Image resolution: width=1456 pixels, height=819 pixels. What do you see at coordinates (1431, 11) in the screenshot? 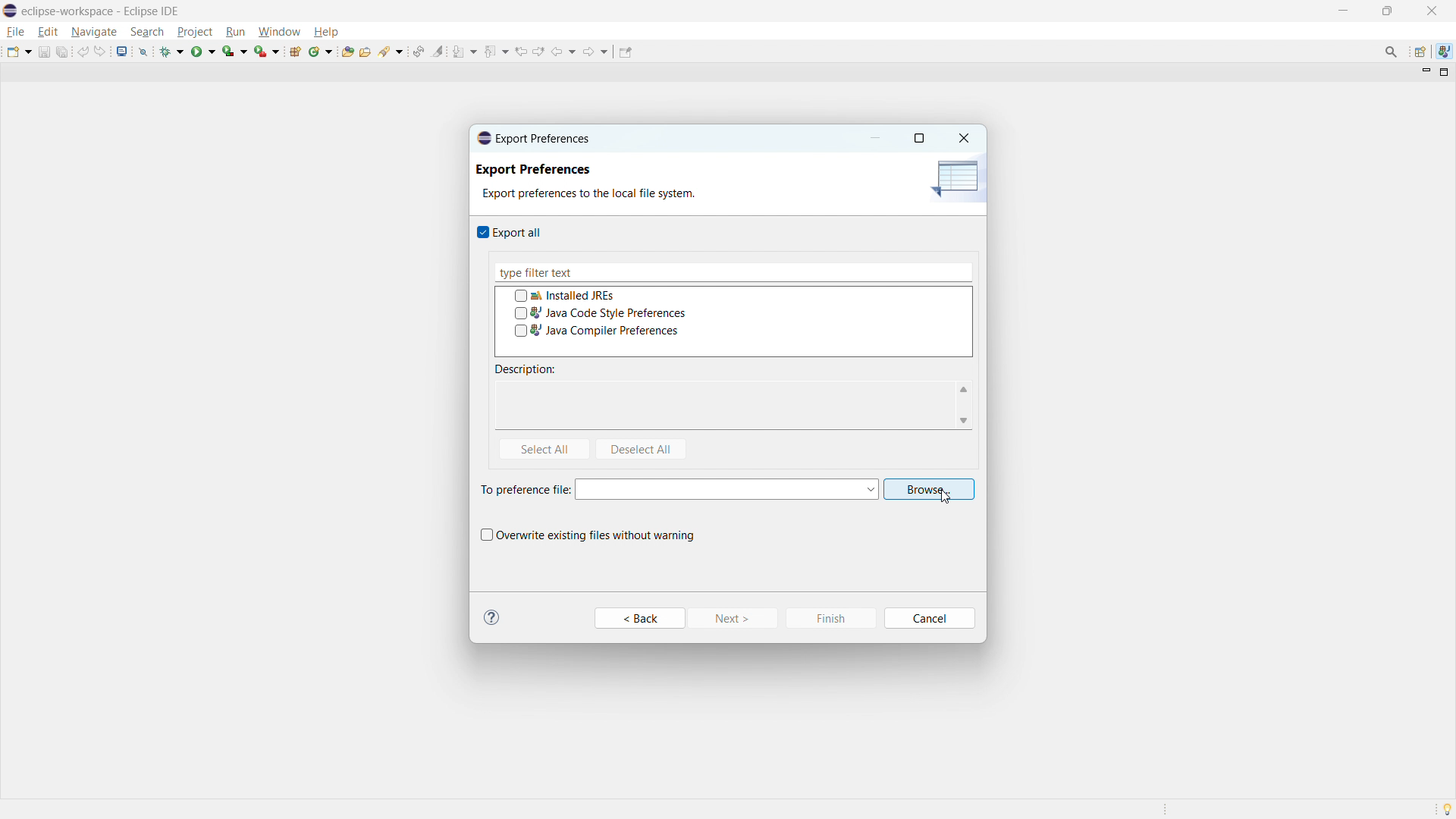
I see `close` at bounding box center [1431, 11].